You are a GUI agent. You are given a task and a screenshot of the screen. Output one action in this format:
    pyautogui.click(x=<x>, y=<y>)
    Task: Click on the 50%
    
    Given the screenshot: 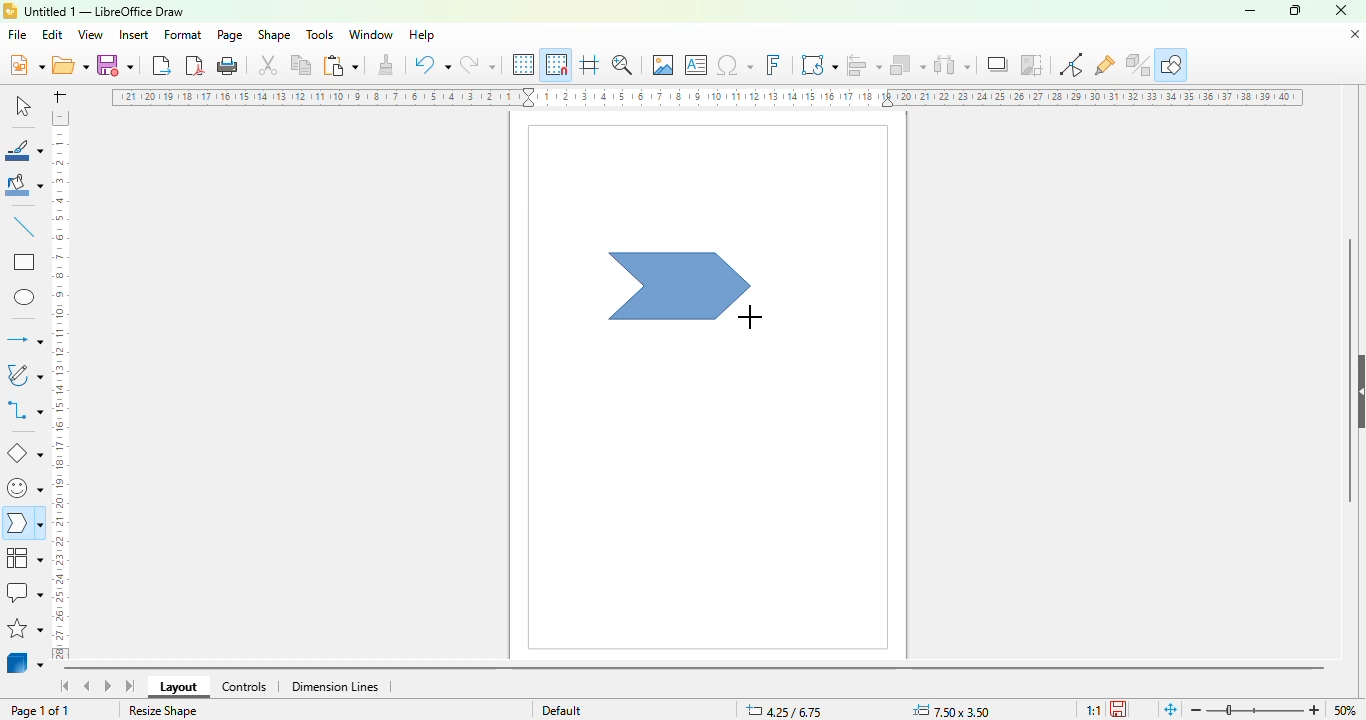 What is the action you would take?
    pyautogui.click(x=1345, y=710)
    